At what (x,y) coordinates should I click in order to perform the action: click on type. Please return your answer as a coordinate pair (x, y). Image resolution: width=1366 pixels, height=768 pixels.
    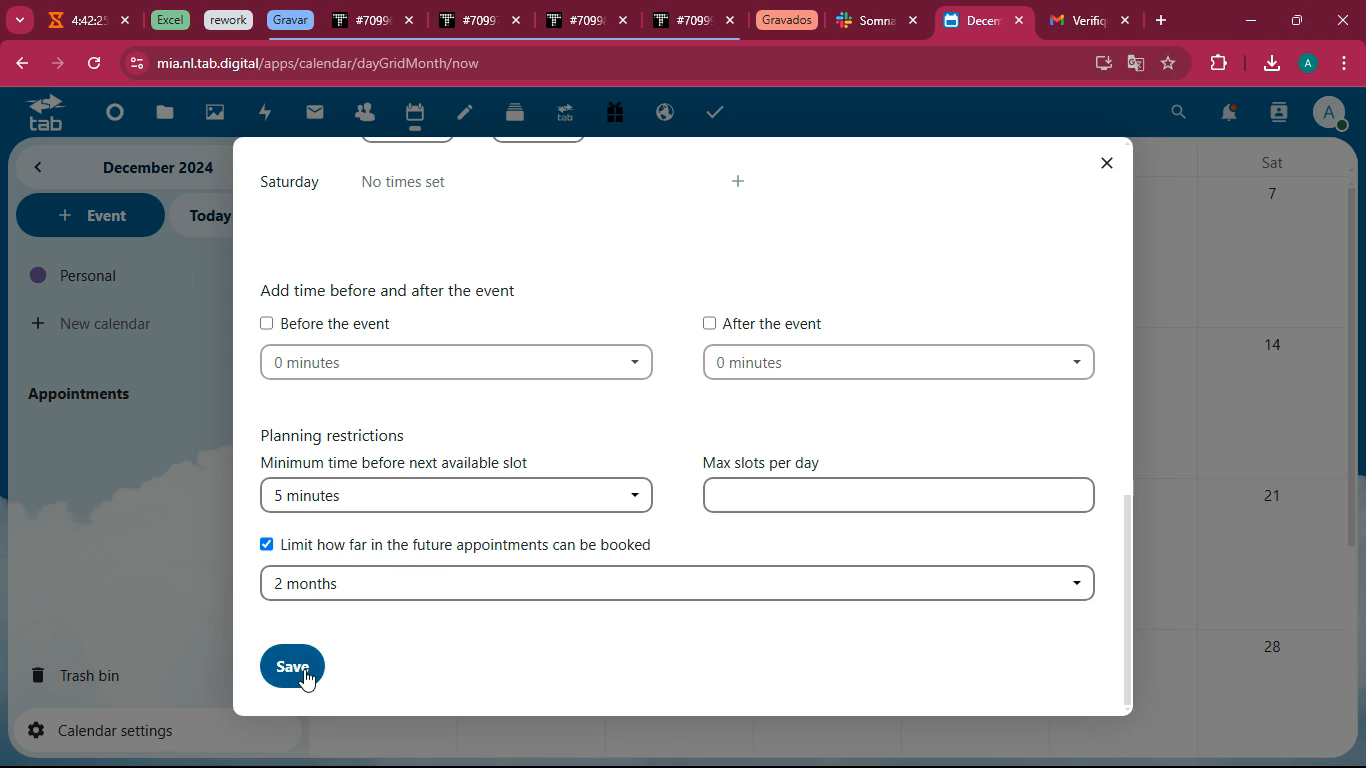
    Looking at the image, I should click on (903, 498).